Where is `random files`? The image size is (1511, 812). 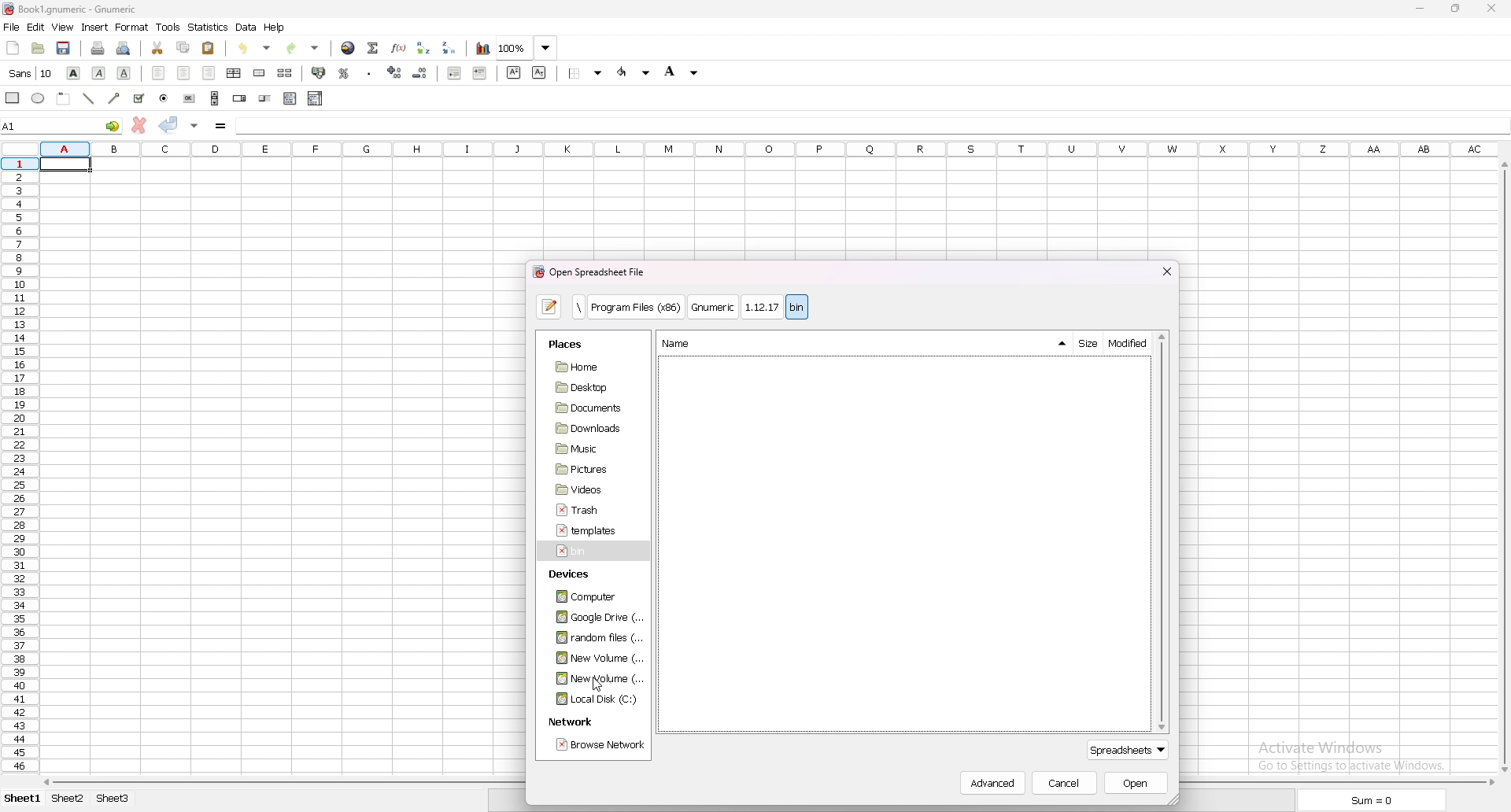 random files is located at coordinates (591, 638).